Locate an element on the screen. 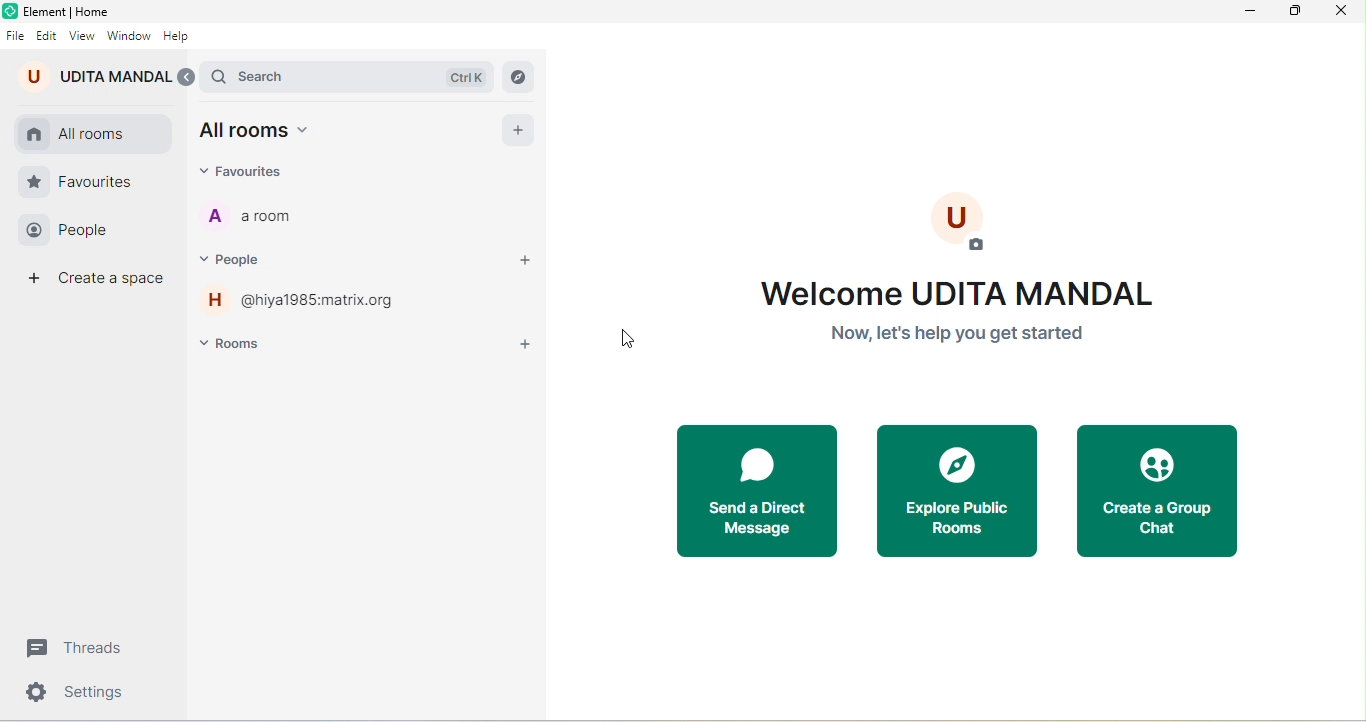 This screenshot has width=1366, height=722. all rooms is located at coordinates (263, 132).